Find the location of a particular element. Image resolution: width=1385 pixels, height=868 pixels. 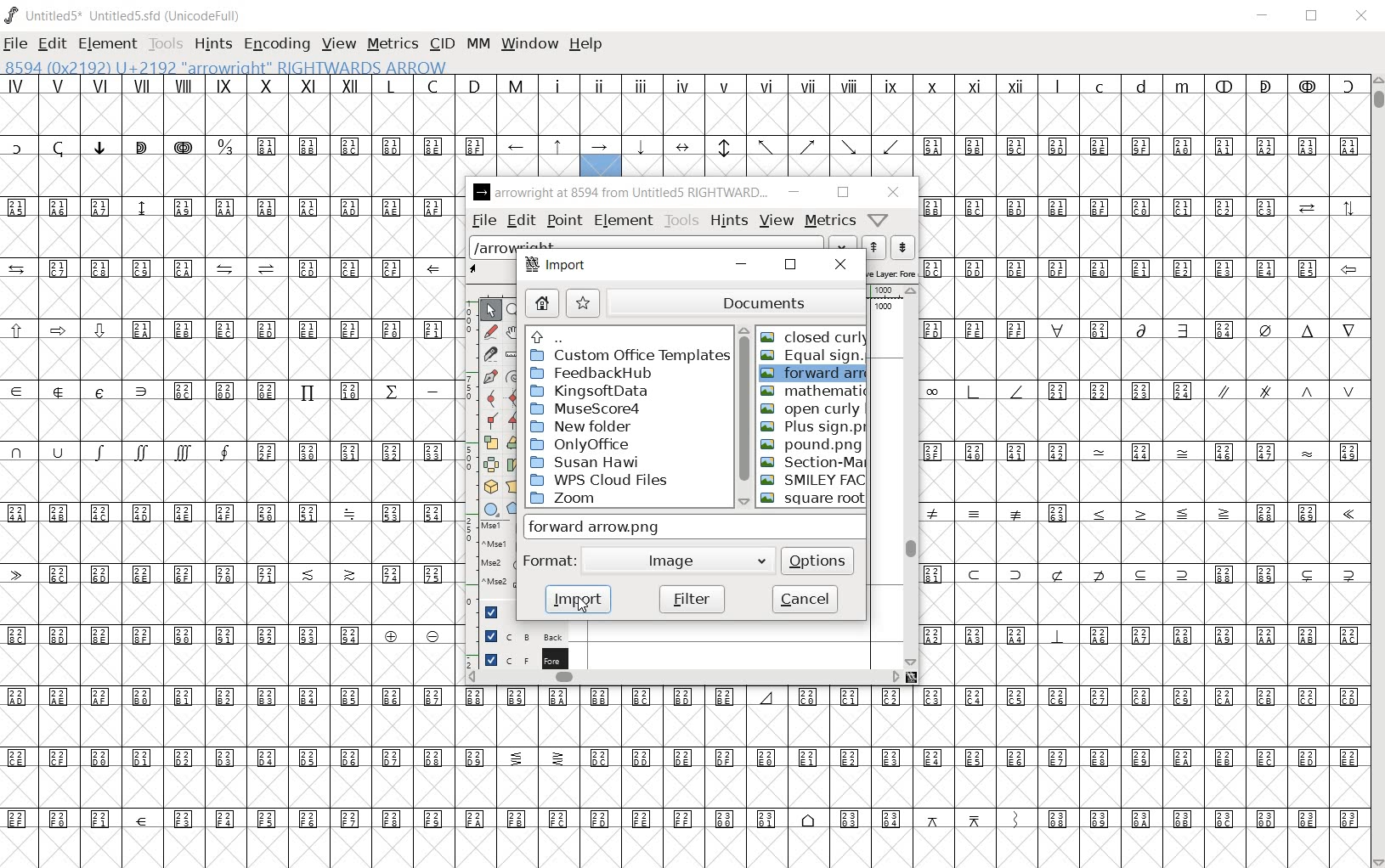

up directories is located at coordinates (626, 336).